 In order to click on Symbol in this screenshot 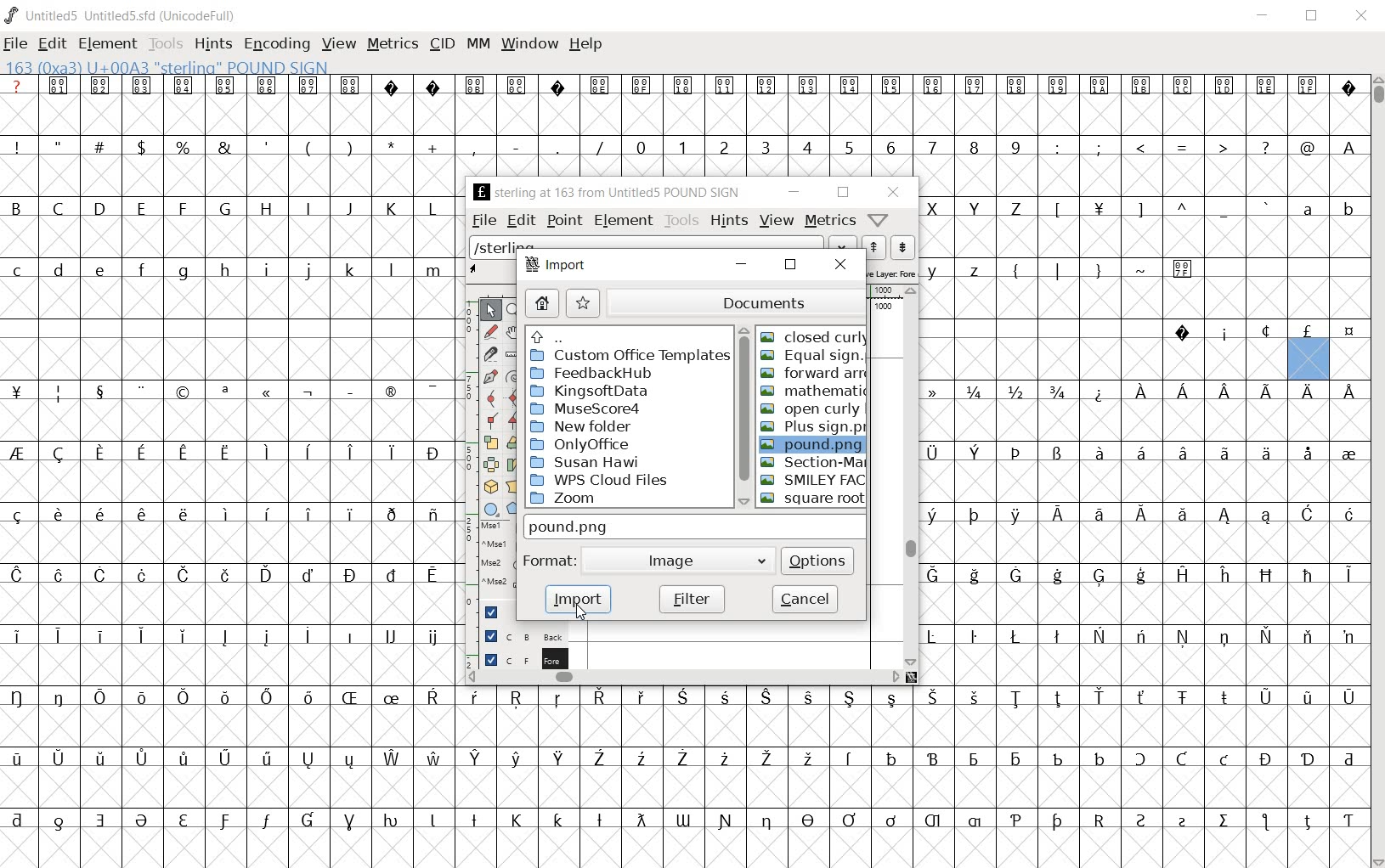, I will do `click(1015, 821)`.